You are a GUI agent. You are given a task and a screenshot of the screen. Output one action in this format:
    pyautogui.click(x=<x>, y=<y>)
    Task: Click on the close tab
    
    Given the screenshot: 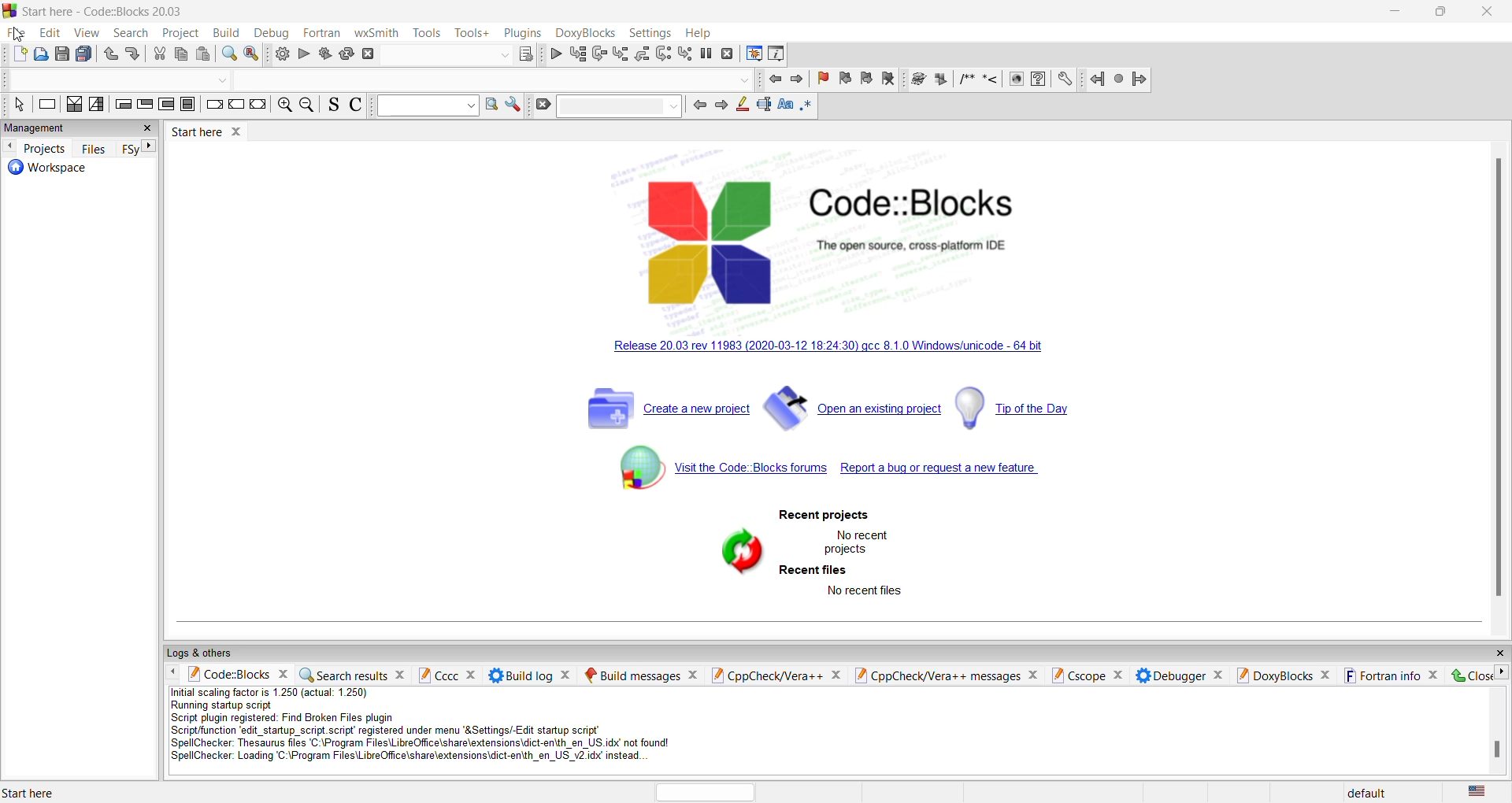 What is the action you would take?
    pyautogui.click(x=239, y=130)
    